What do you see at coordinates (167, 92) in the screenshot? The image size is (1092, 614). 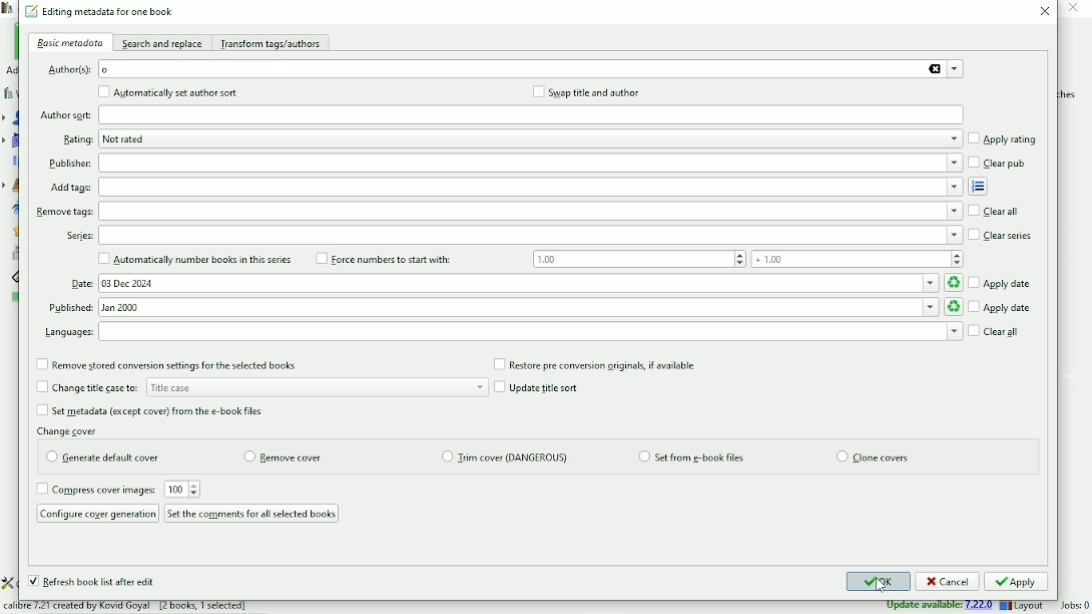 I see `Automatically set author sort` at bounding box center [167, 92].